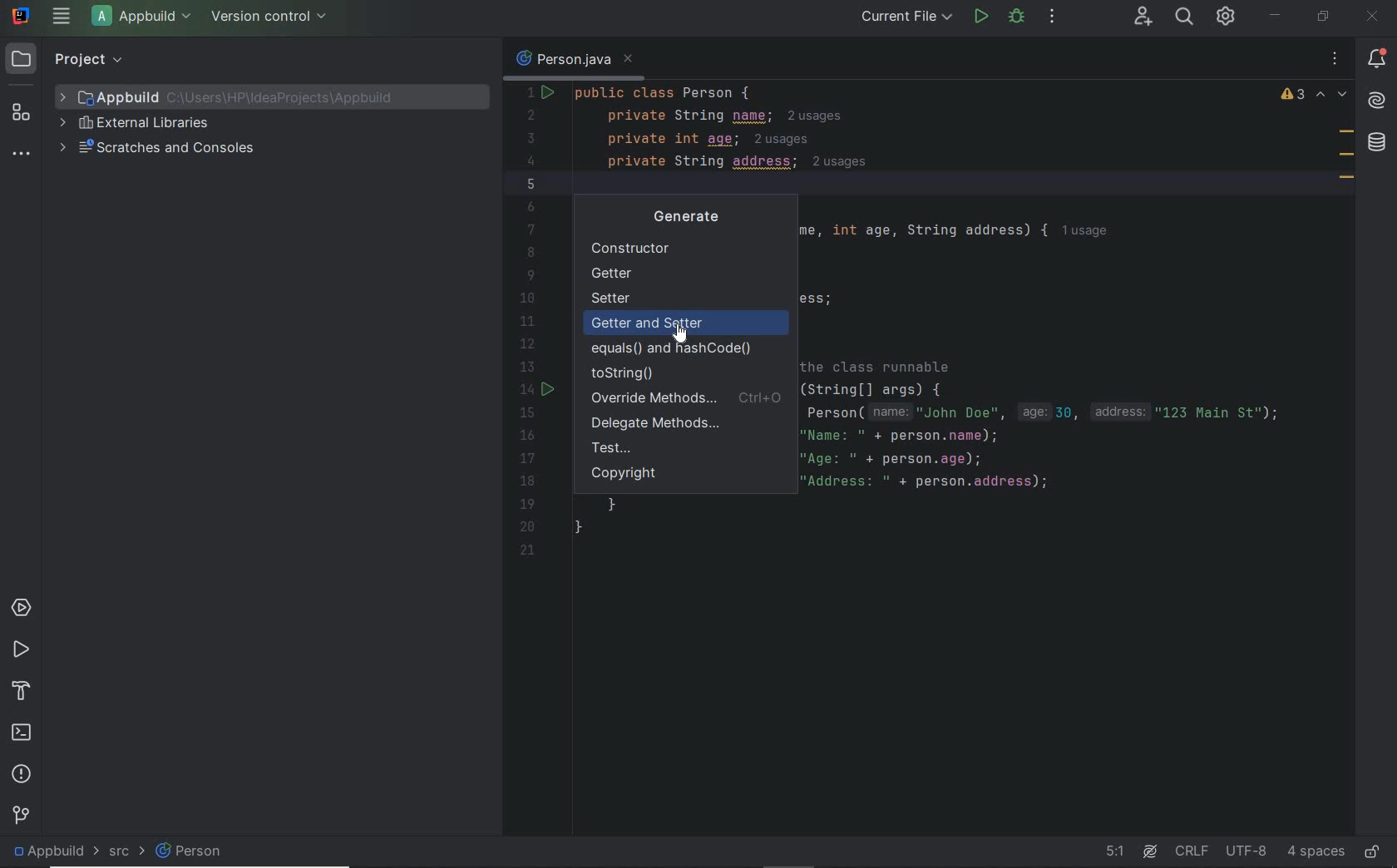  I want to click on run/debug configurations: current file, so click(906, 16).